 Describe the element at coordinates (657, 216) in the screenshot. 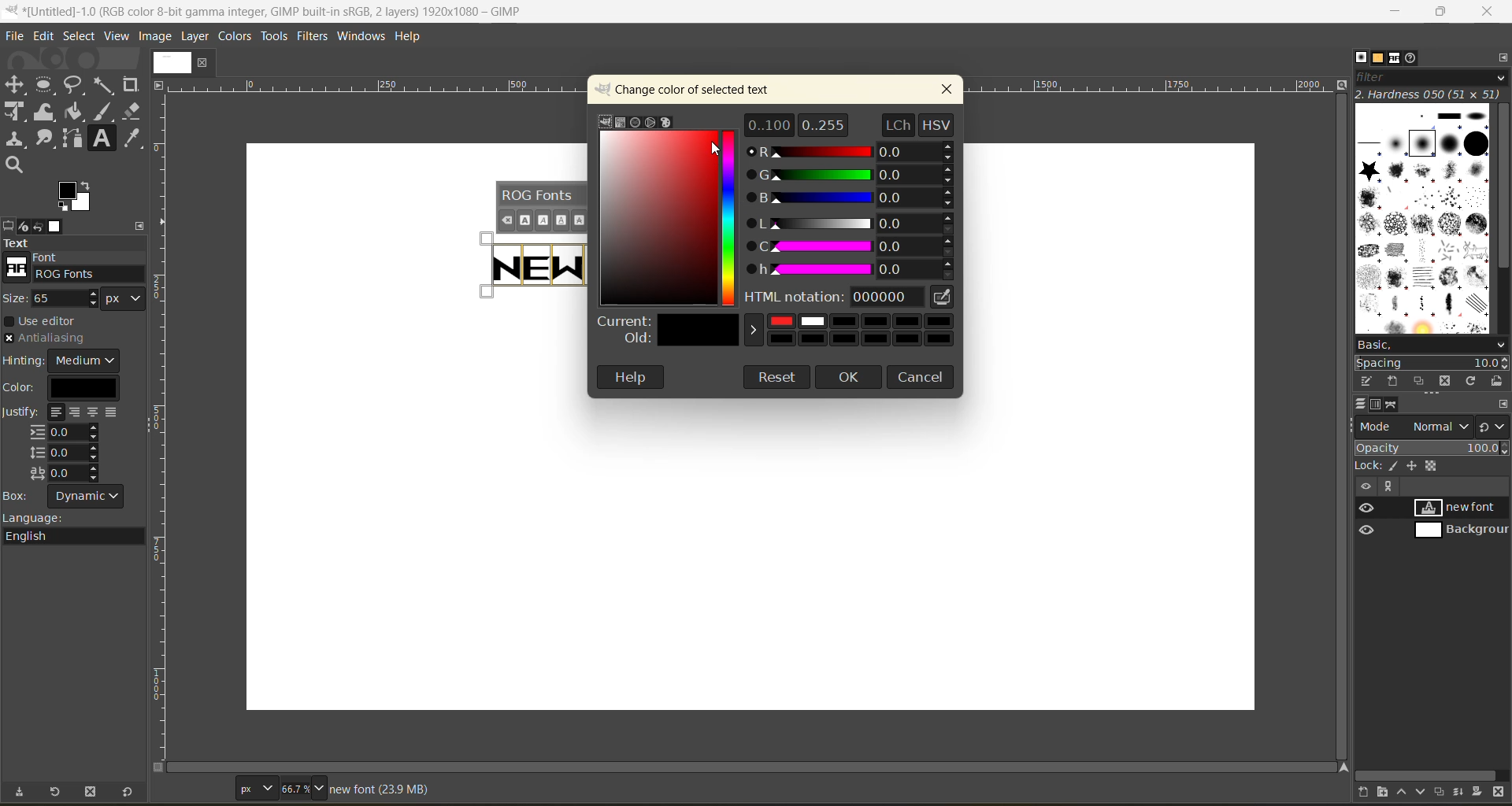

I see `gradient` at that location.